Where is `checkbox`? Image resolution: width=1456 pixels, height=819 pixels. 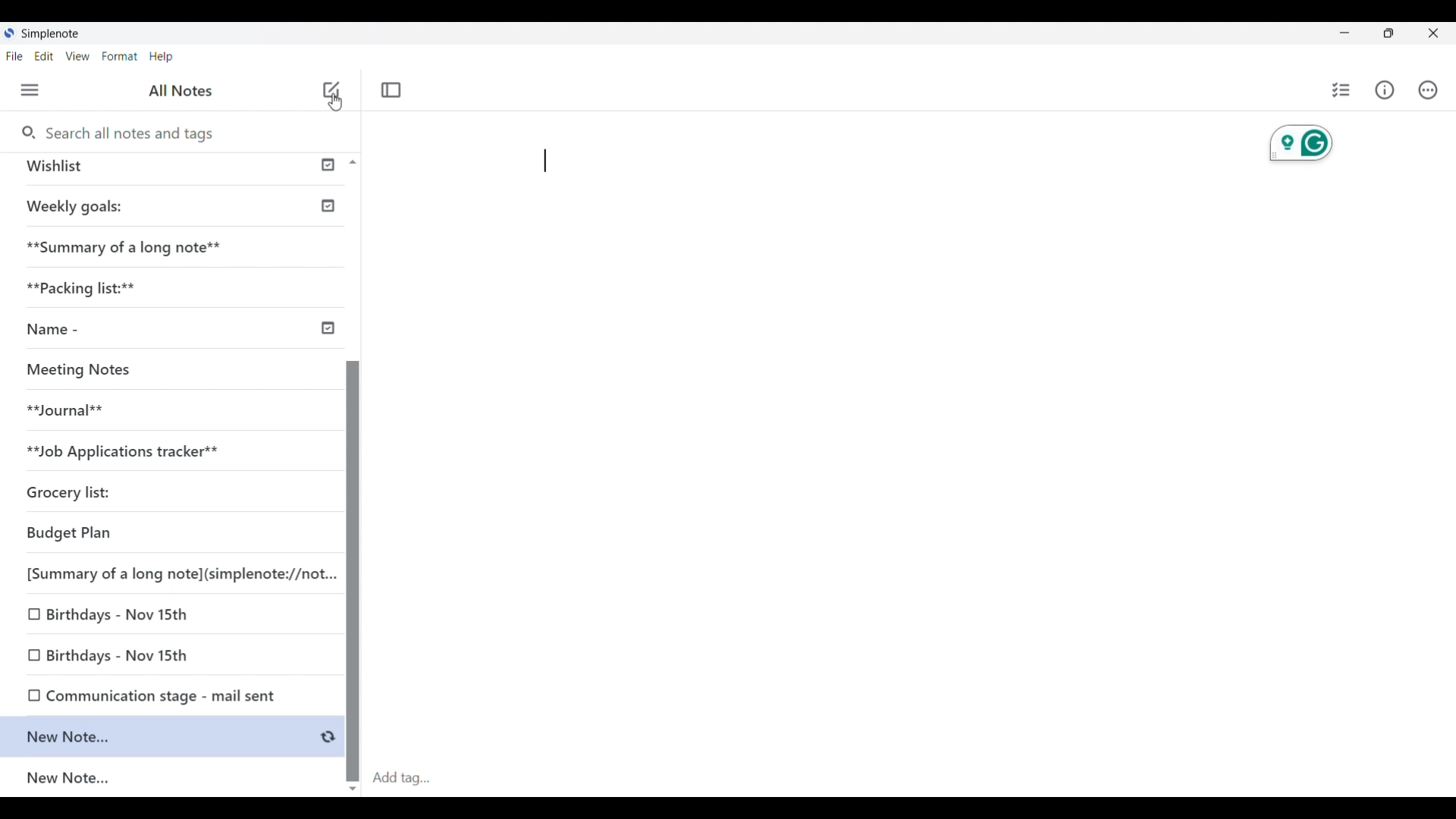
checkbox is located at coordinates (27, 696).